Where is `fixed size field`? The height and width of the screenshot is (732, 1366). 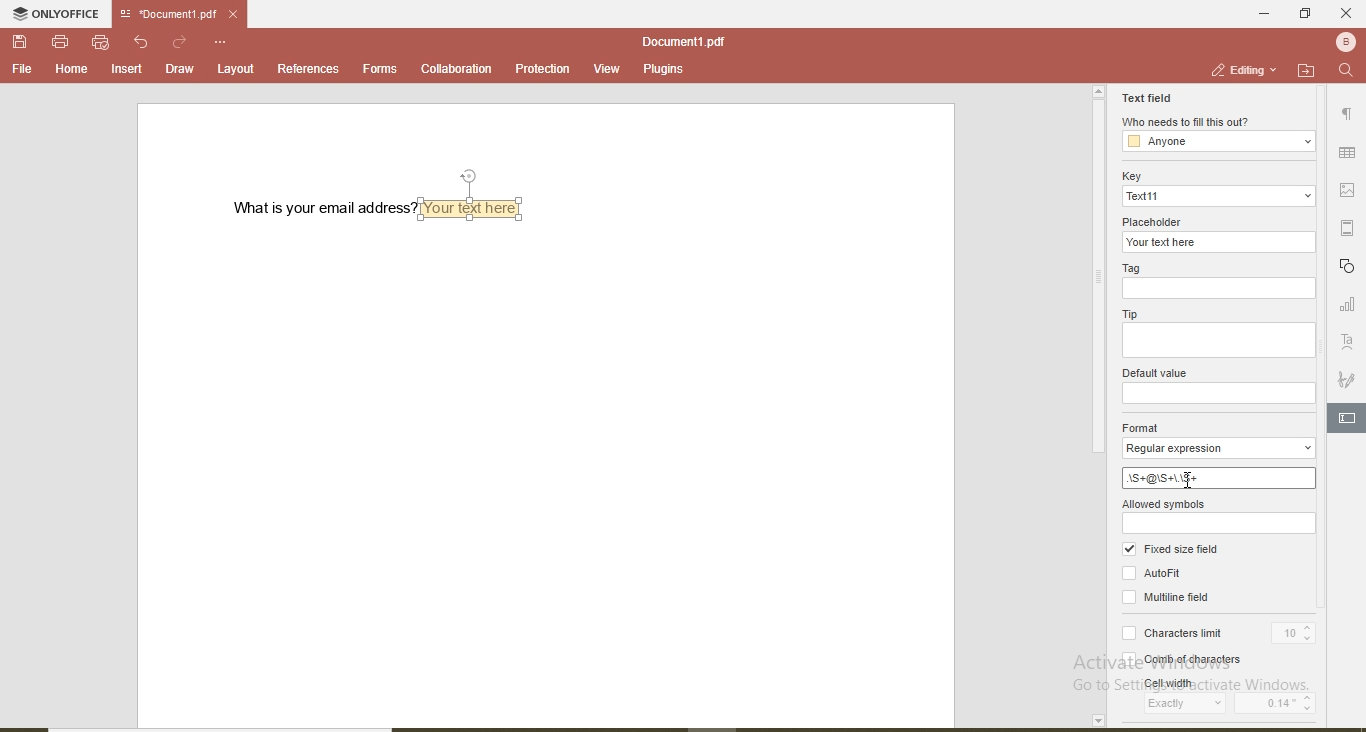
fixed size field is located at coordinates (1177, 550).